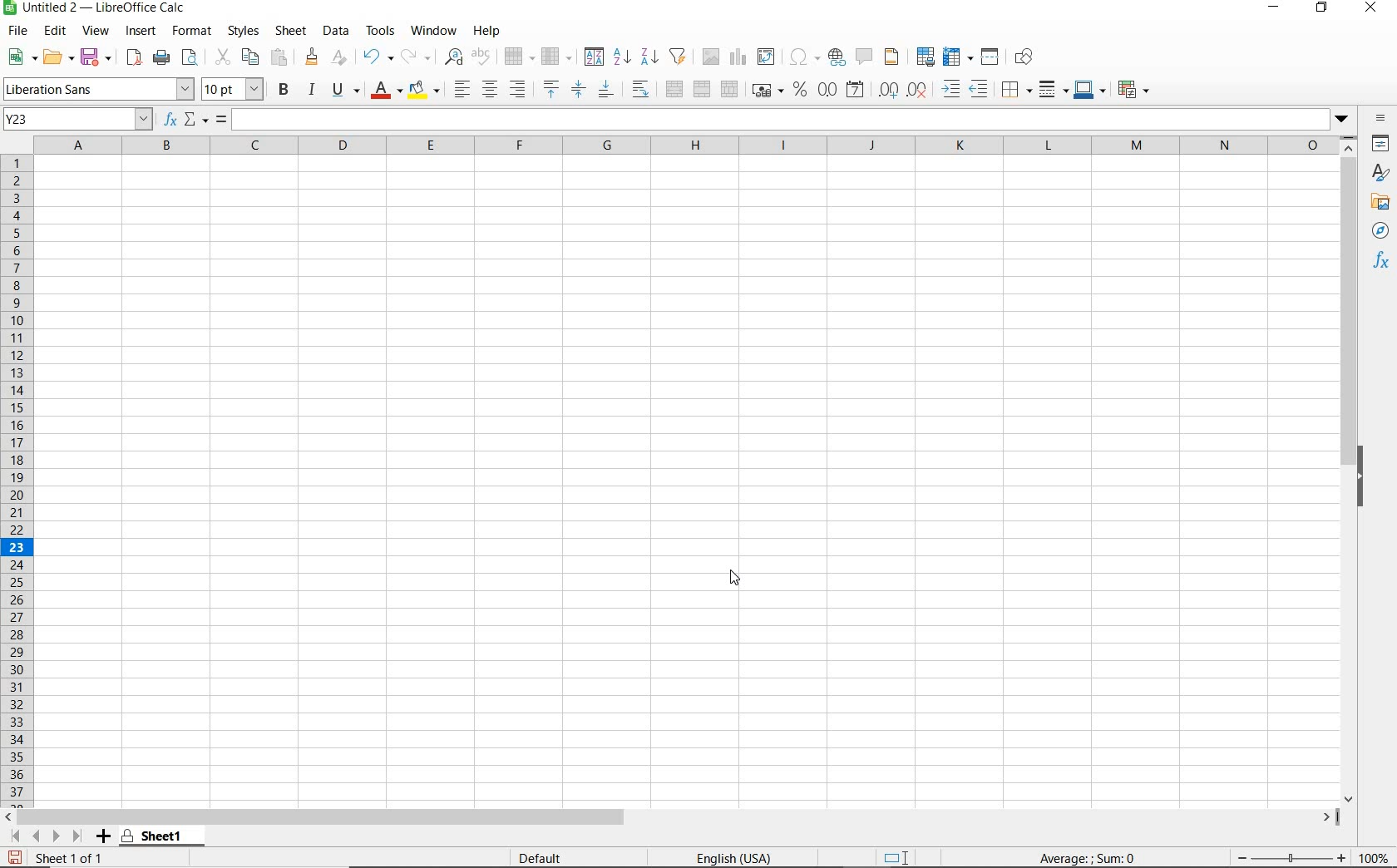  I want to click on ALIGN TOP, so click(550, 89).